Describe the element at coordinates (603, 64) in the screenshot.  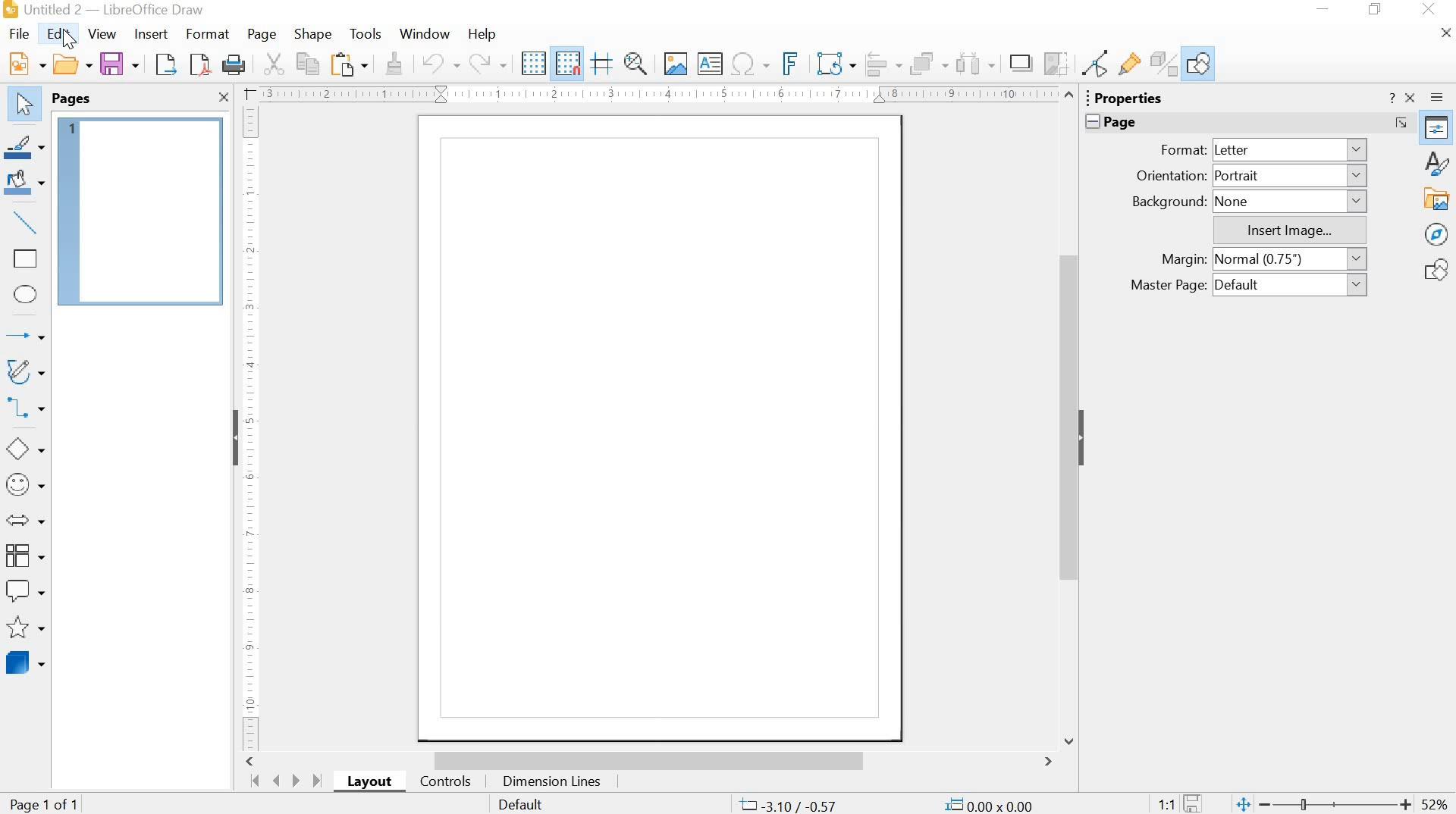
I see `Helplines While Moving` at that location.